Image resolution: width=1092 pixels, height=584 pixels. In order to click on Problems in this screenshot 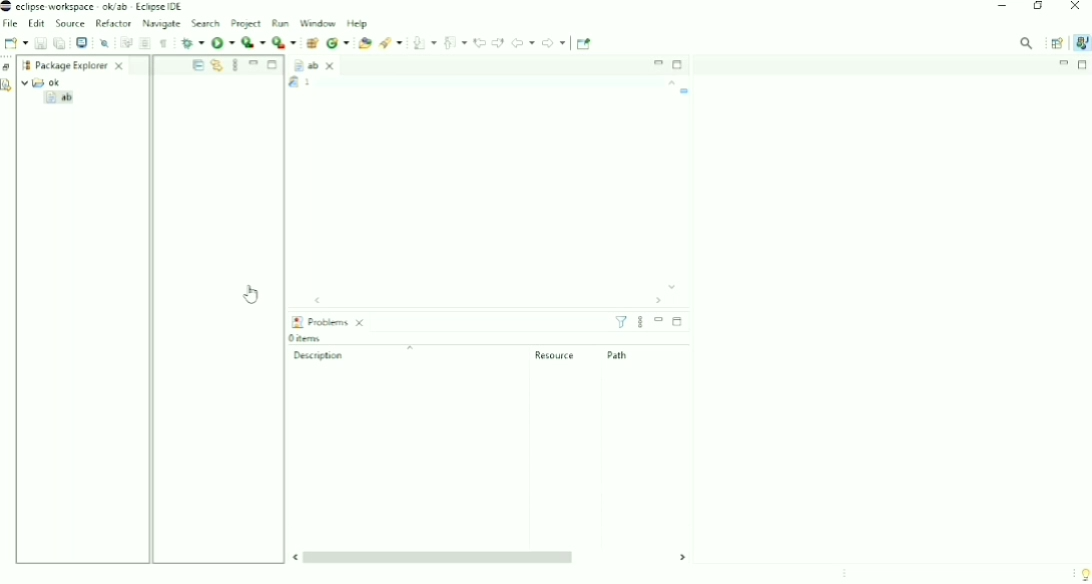, I will do `click(329, 321)`.